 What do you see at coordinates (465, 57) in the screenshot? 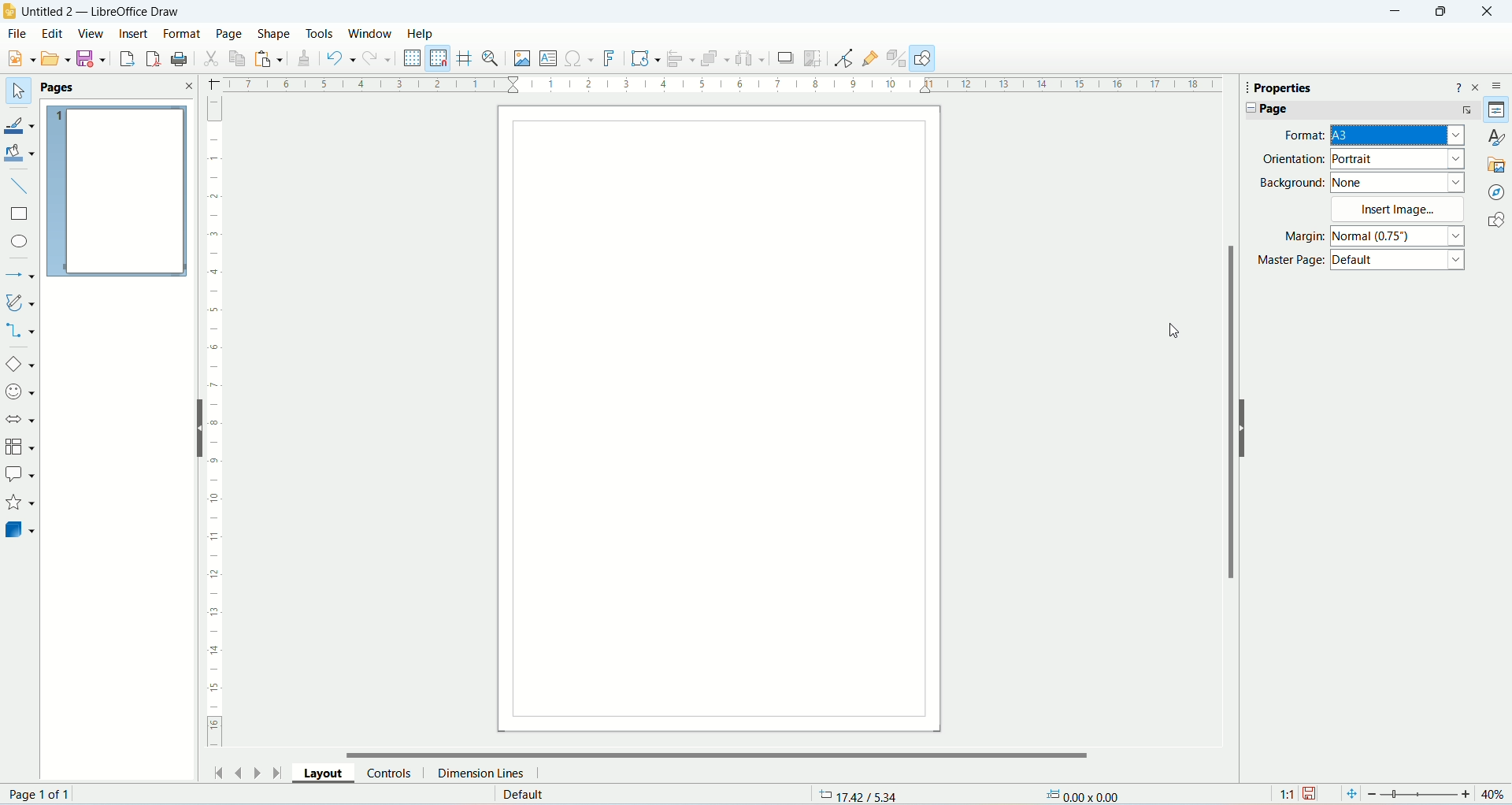
I see `helplines while moving` at bounding box center [465, 57].